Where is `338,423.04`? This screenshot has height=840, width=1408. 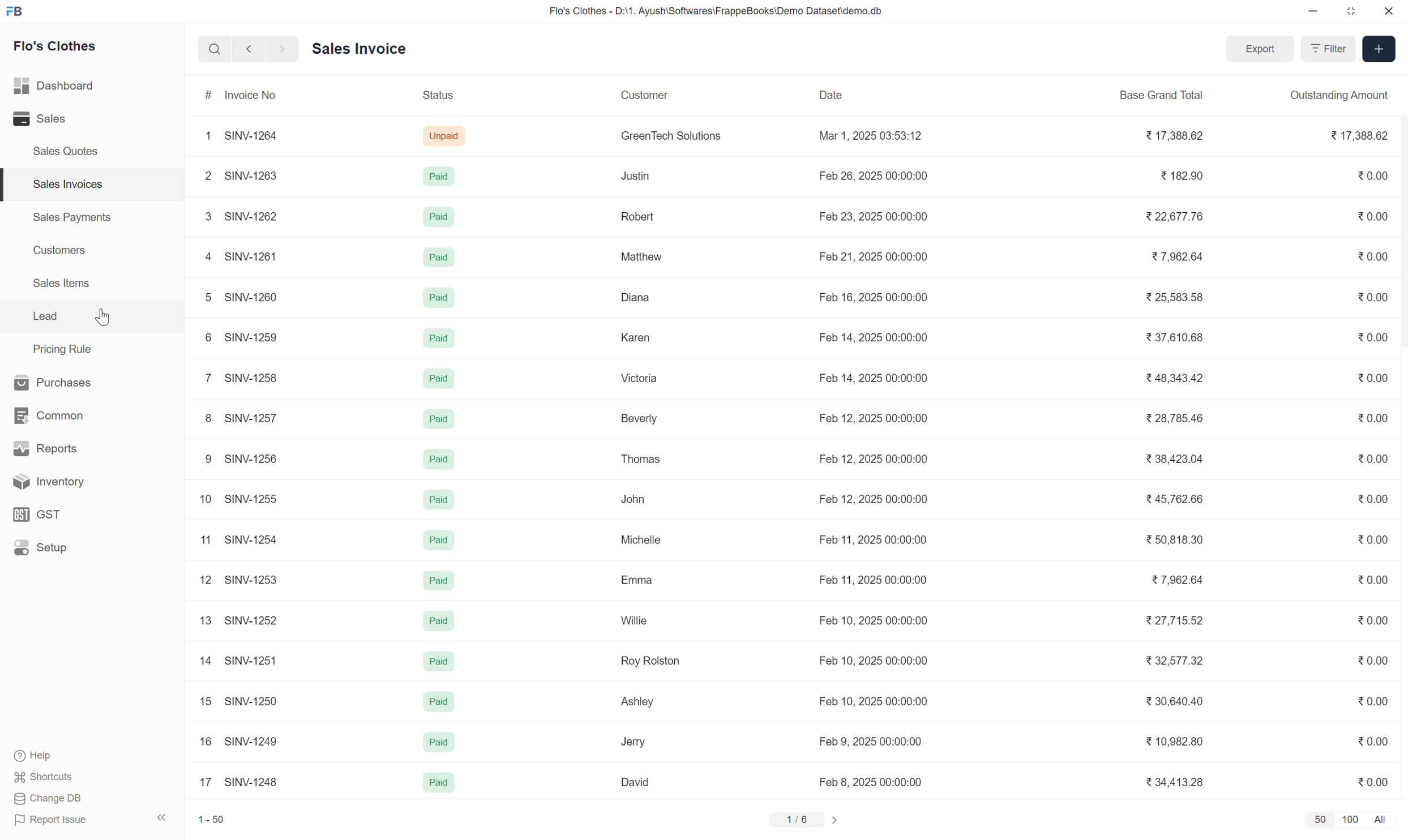 338,423.04 is located at coordinates (1173, 459).